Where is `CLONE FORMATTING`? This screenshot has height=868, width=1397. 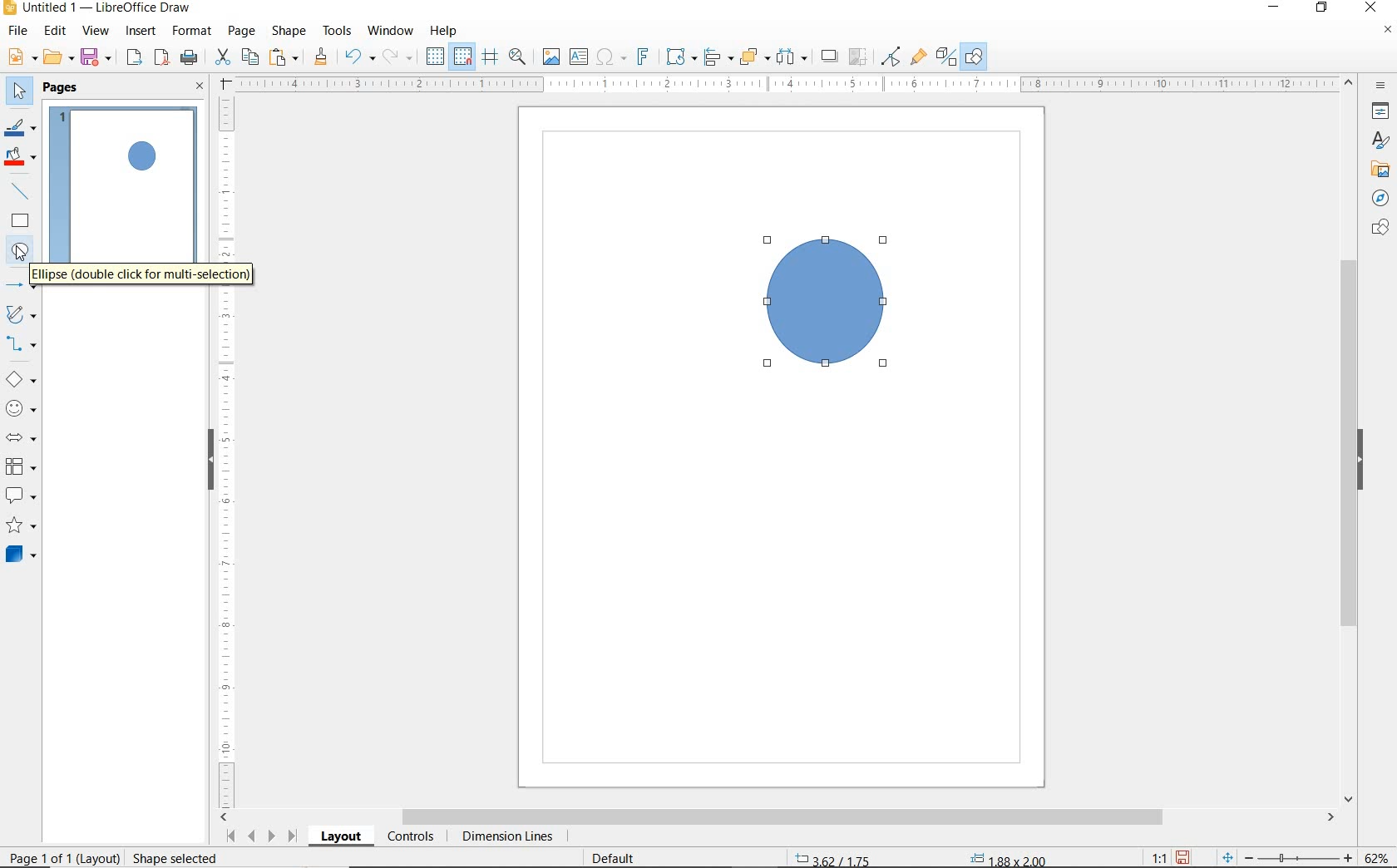 CLONE FORMATTING is located at coordinates (320, 57).